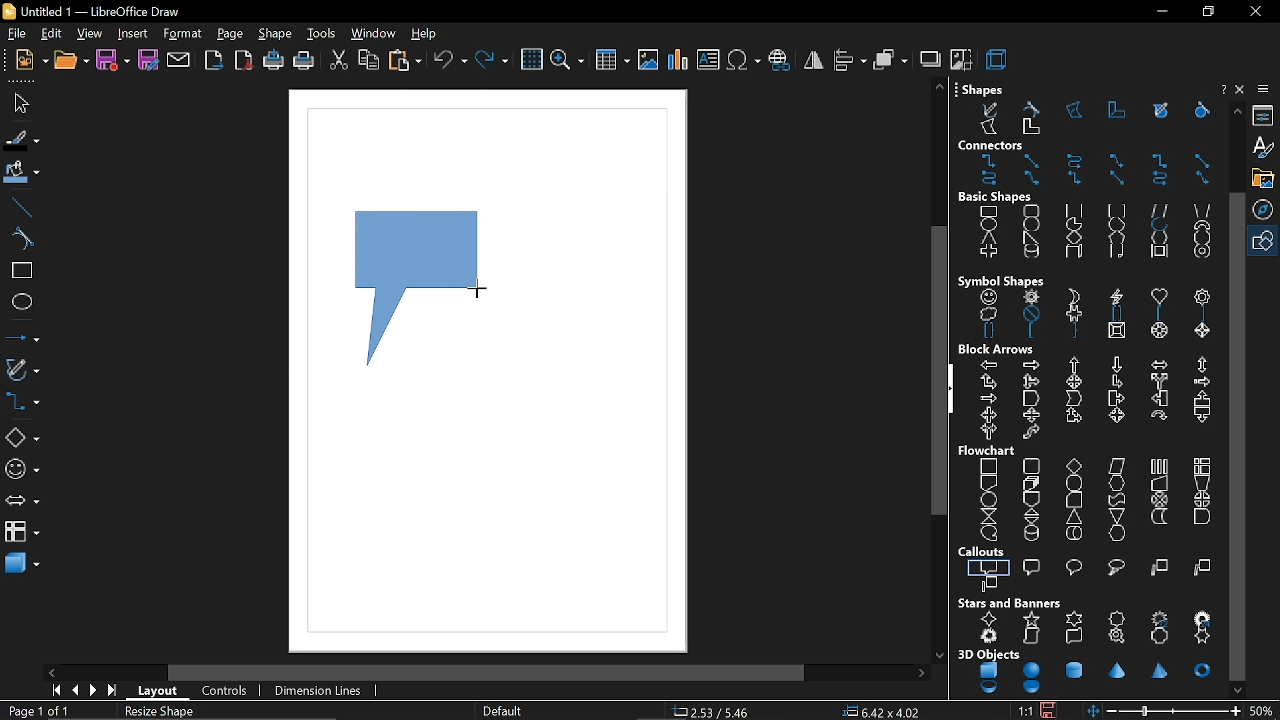 This screenshot has height=720, width=1280. I want to click on predefined process, so click(1159, 466).